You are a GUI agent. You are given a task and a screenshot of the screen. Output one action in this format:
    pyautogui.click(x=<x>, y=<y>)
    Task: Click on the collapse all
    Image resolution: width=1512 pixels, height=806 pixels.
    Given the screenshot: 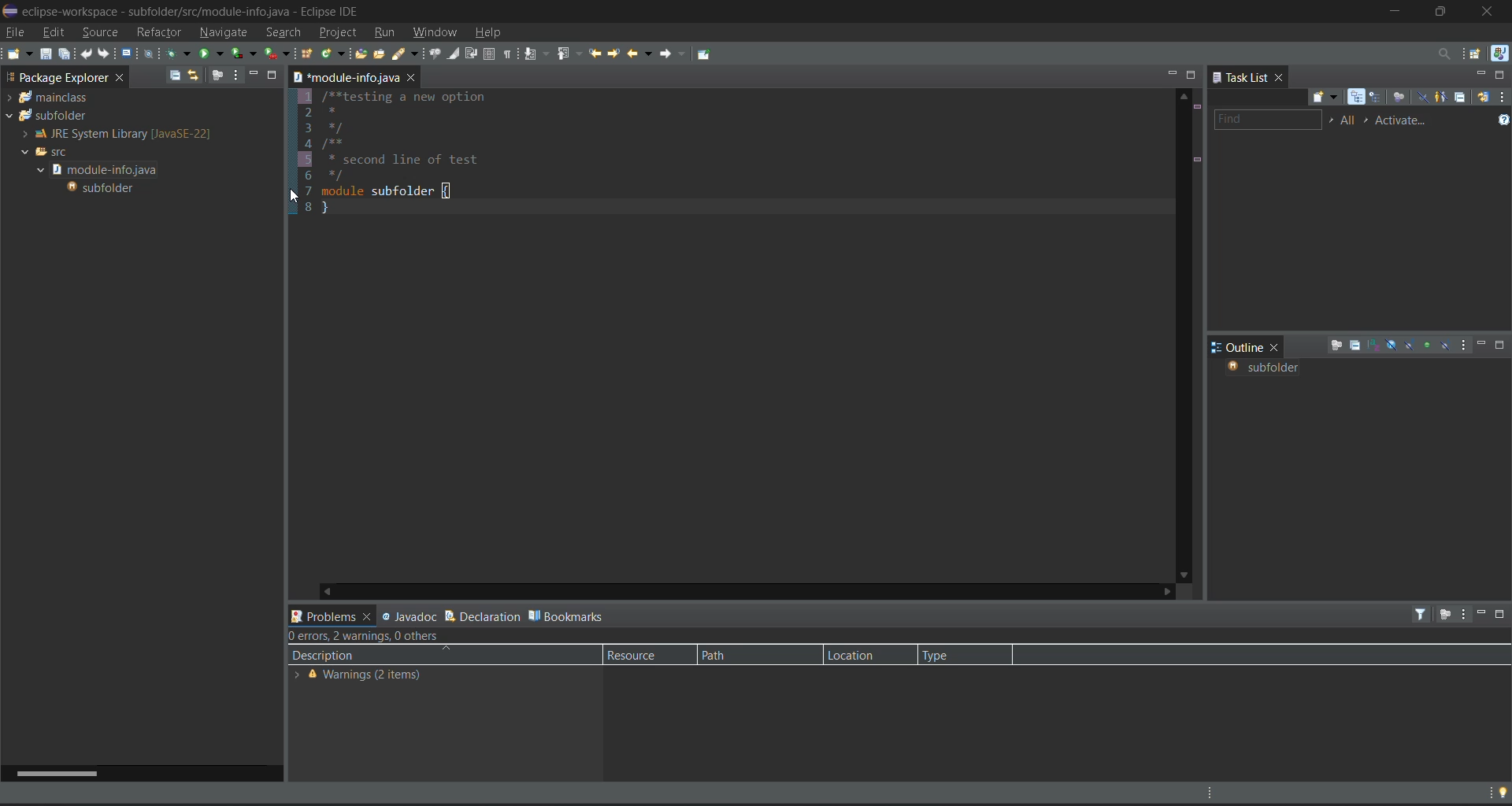 What is the action you would take?
    pyautogui.click(x=175, y=75)
    